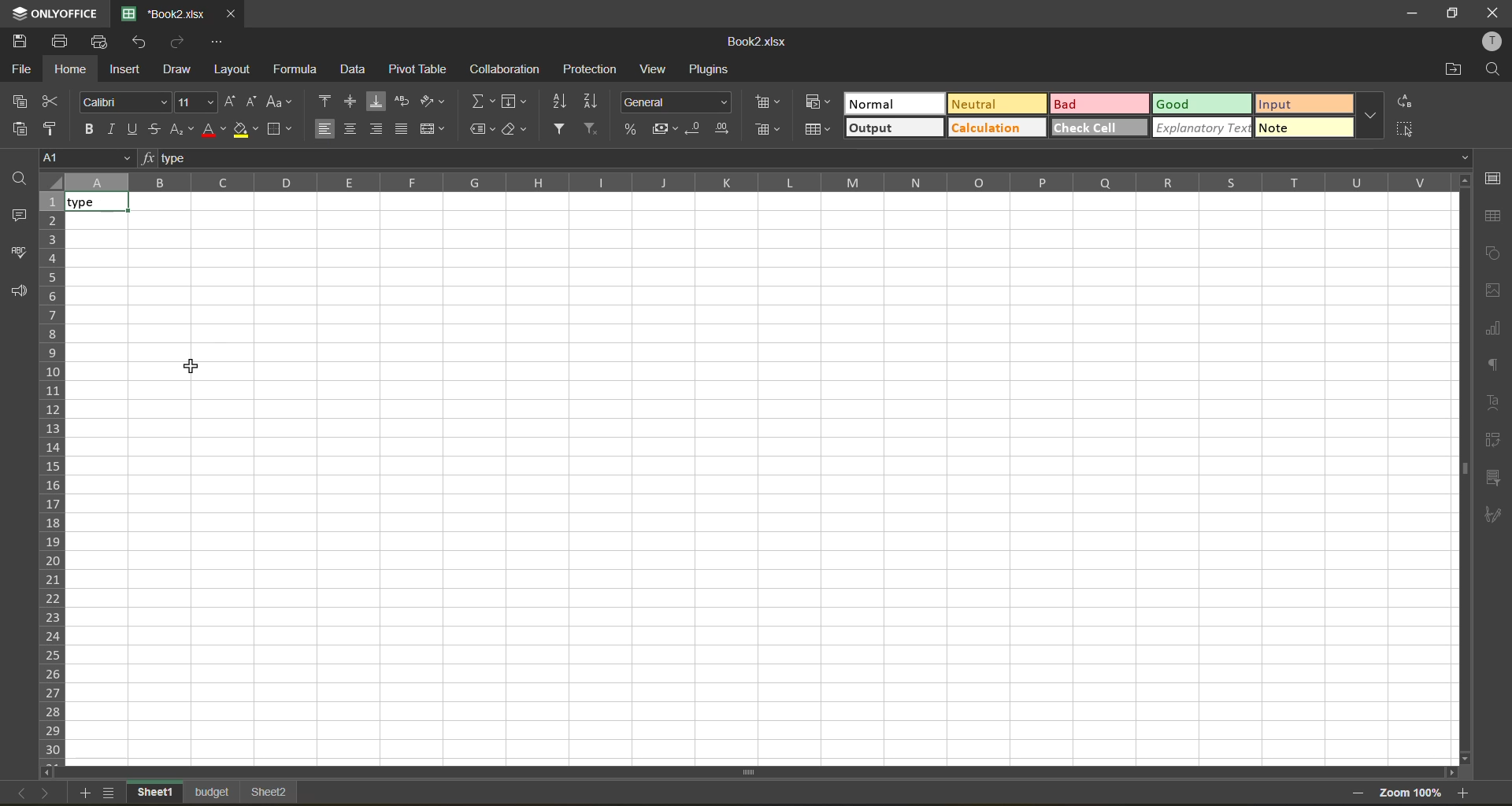 The width and height of the screenshot is (1512, 806). What do you see at coordinates (1202, 105) in the screenshot?
I see `good` at bounding box center [1202, 105].